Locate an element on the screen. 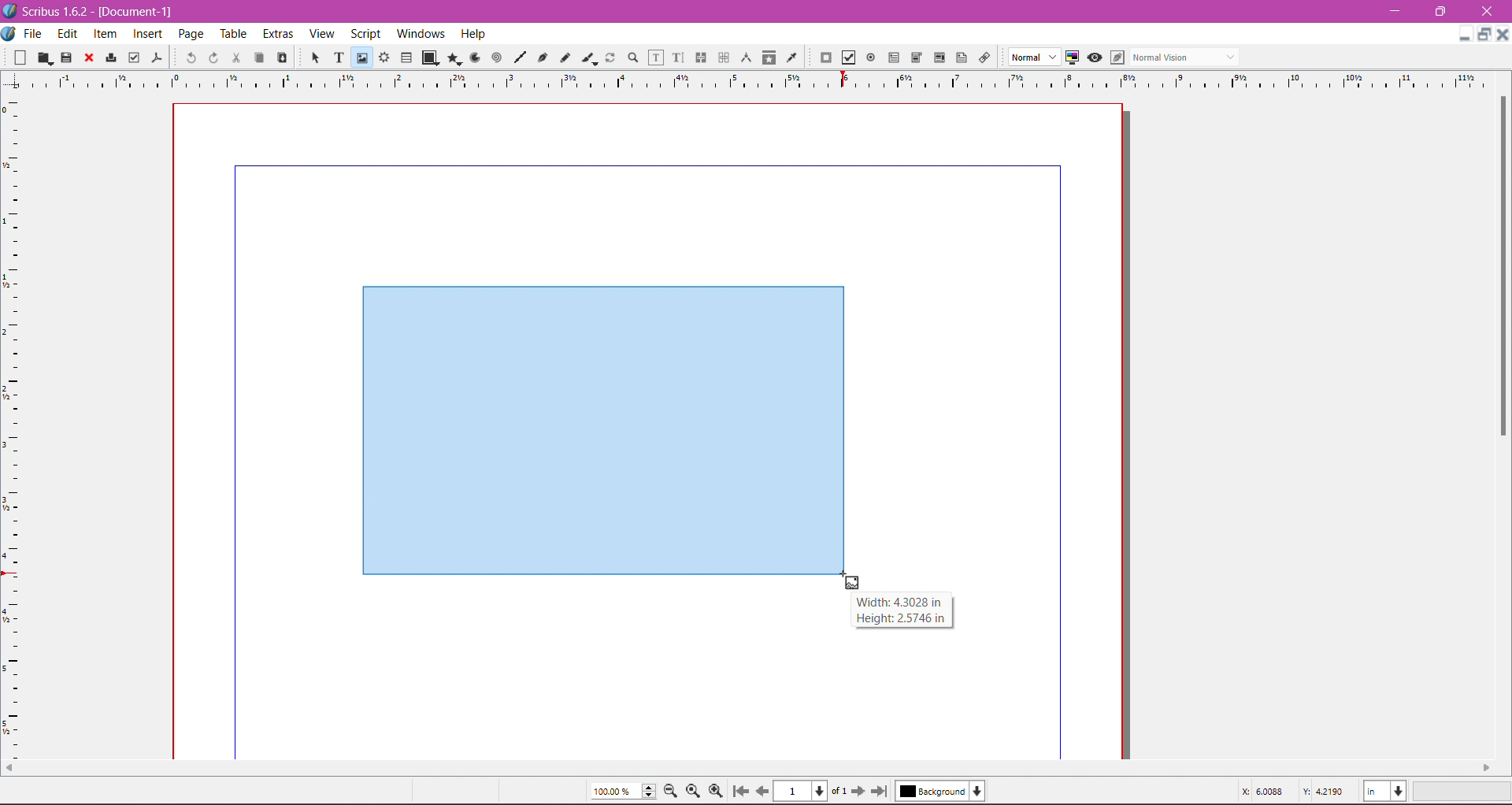  Link Text Frames is located at coordinates (701, 57).